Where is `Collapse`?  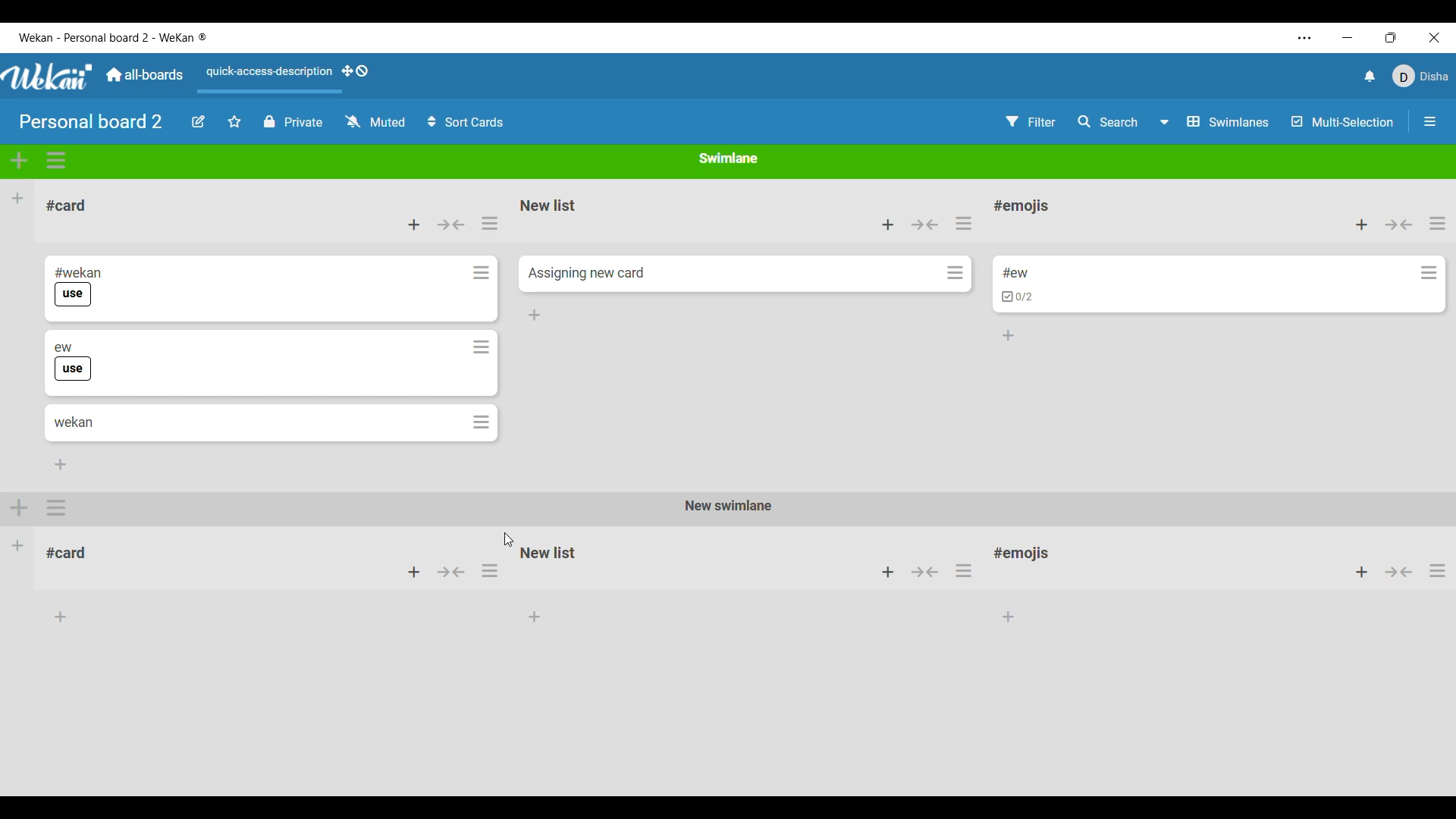
Collapse is located at coordinates (450, 224).